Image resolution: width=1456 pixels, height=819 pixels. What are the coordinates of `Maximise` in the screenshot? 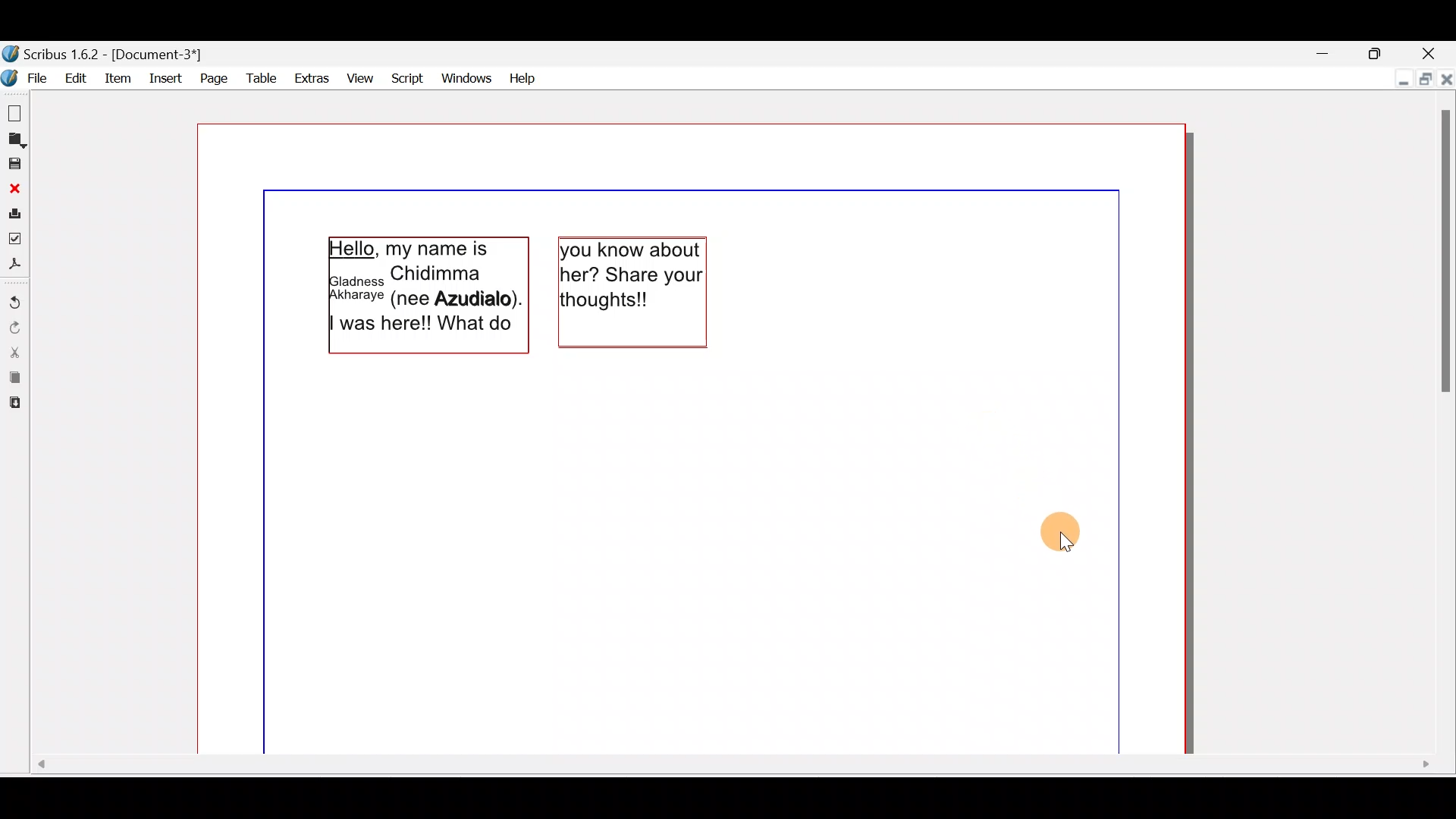 It's located at (1422, 78).